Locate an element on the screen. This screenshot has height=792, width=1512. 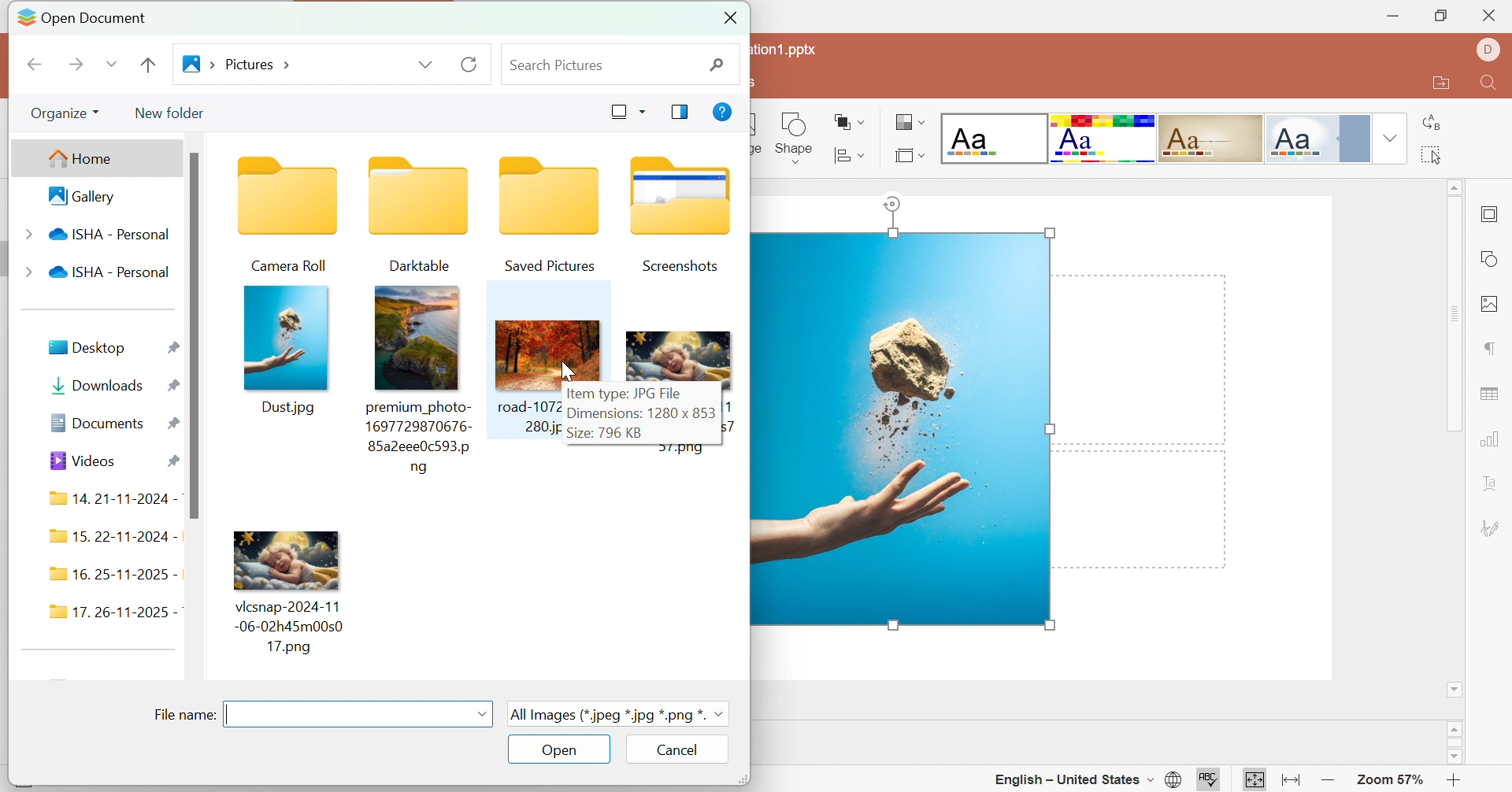
chart settings is located at coordinates (1493, 437).